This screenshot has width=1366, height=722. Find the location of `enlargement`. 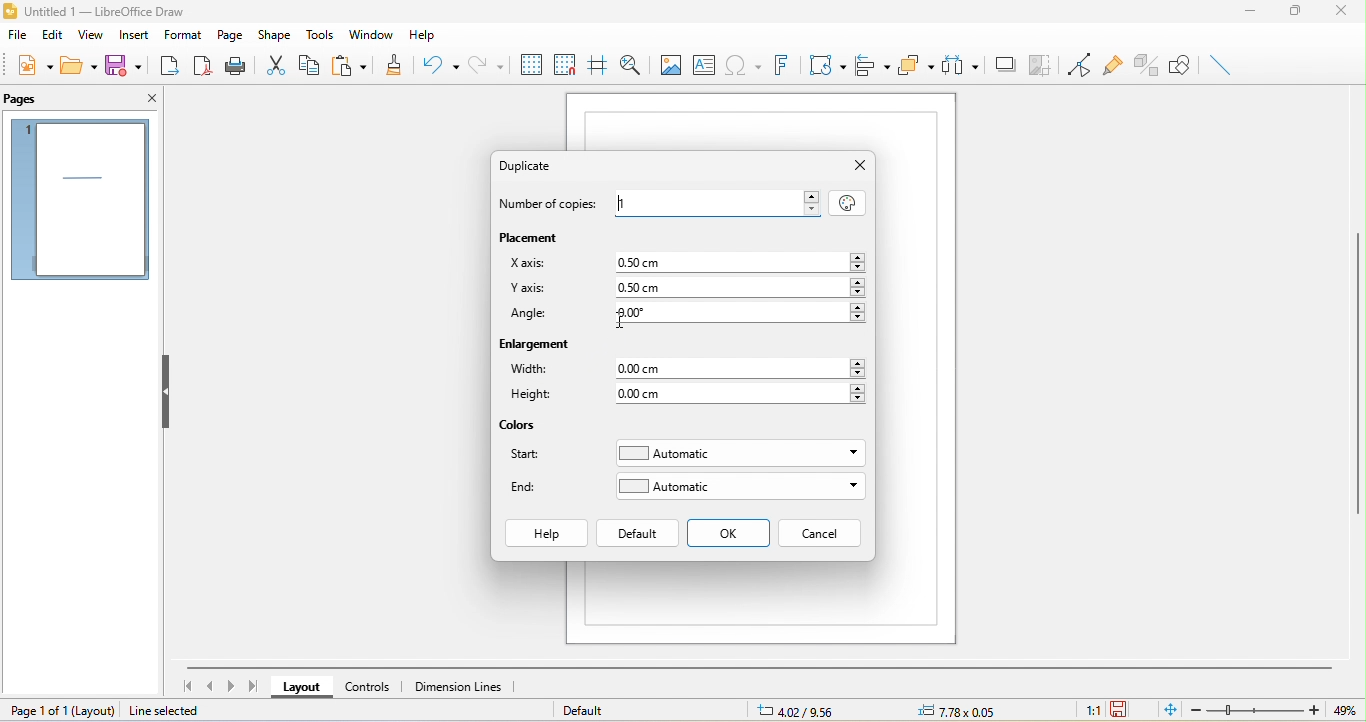

enlargement is located at coordinates (538, 347).